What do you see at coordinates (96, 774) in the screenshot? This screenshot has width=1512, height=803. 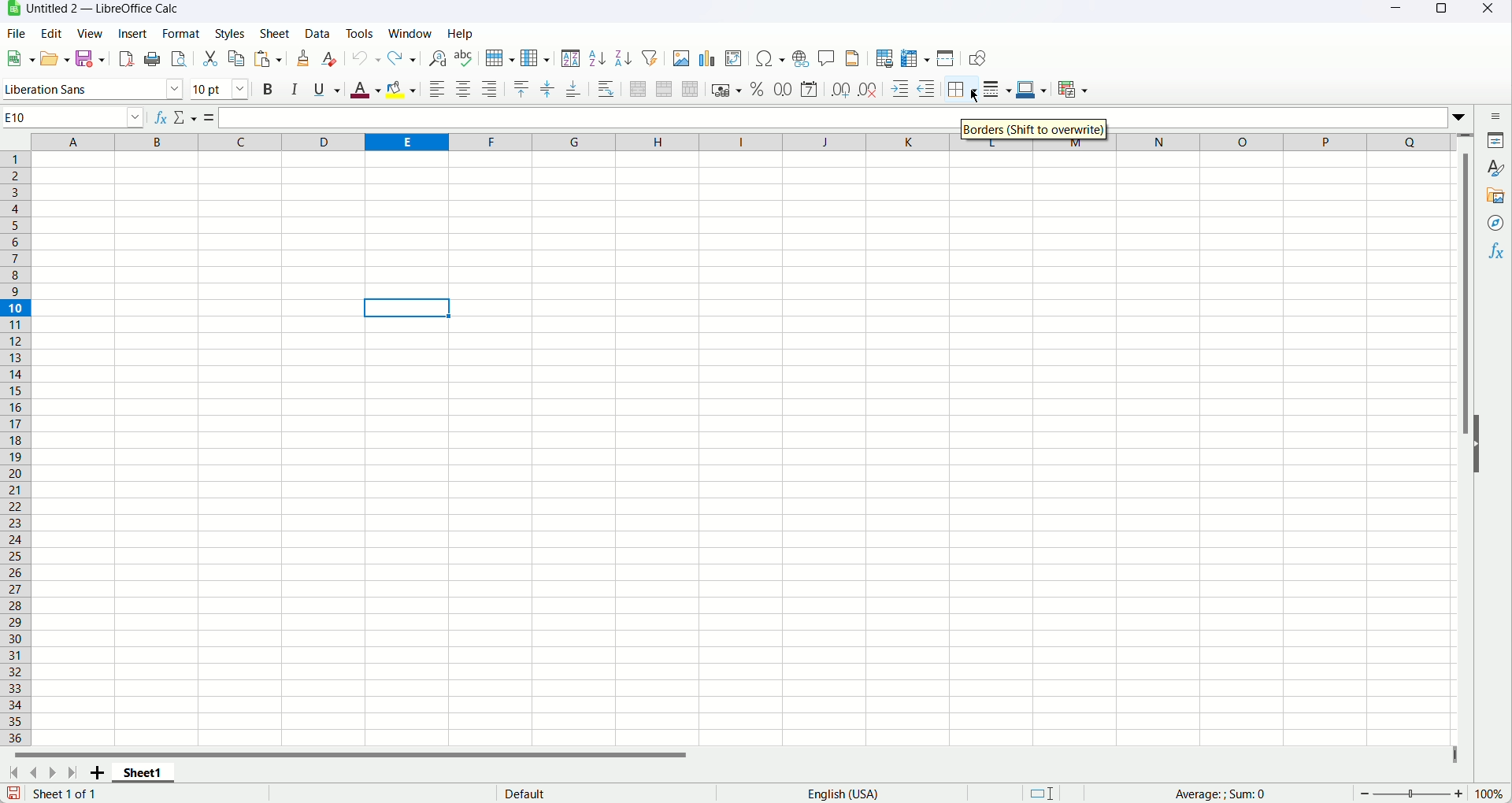 I see `Add new sheet` at bounding box center [96, 774].